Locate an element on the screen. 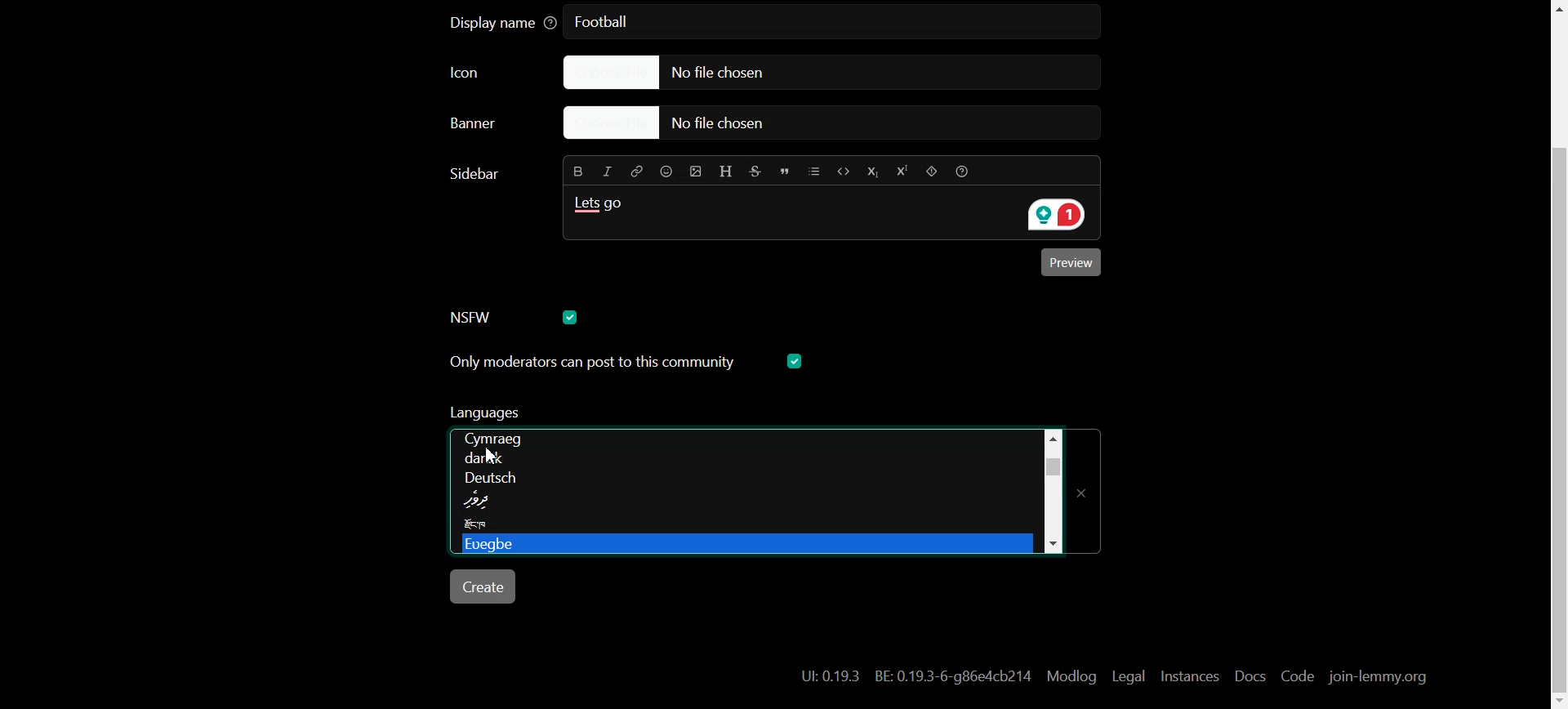  Header is located at coordinates (726, 169).